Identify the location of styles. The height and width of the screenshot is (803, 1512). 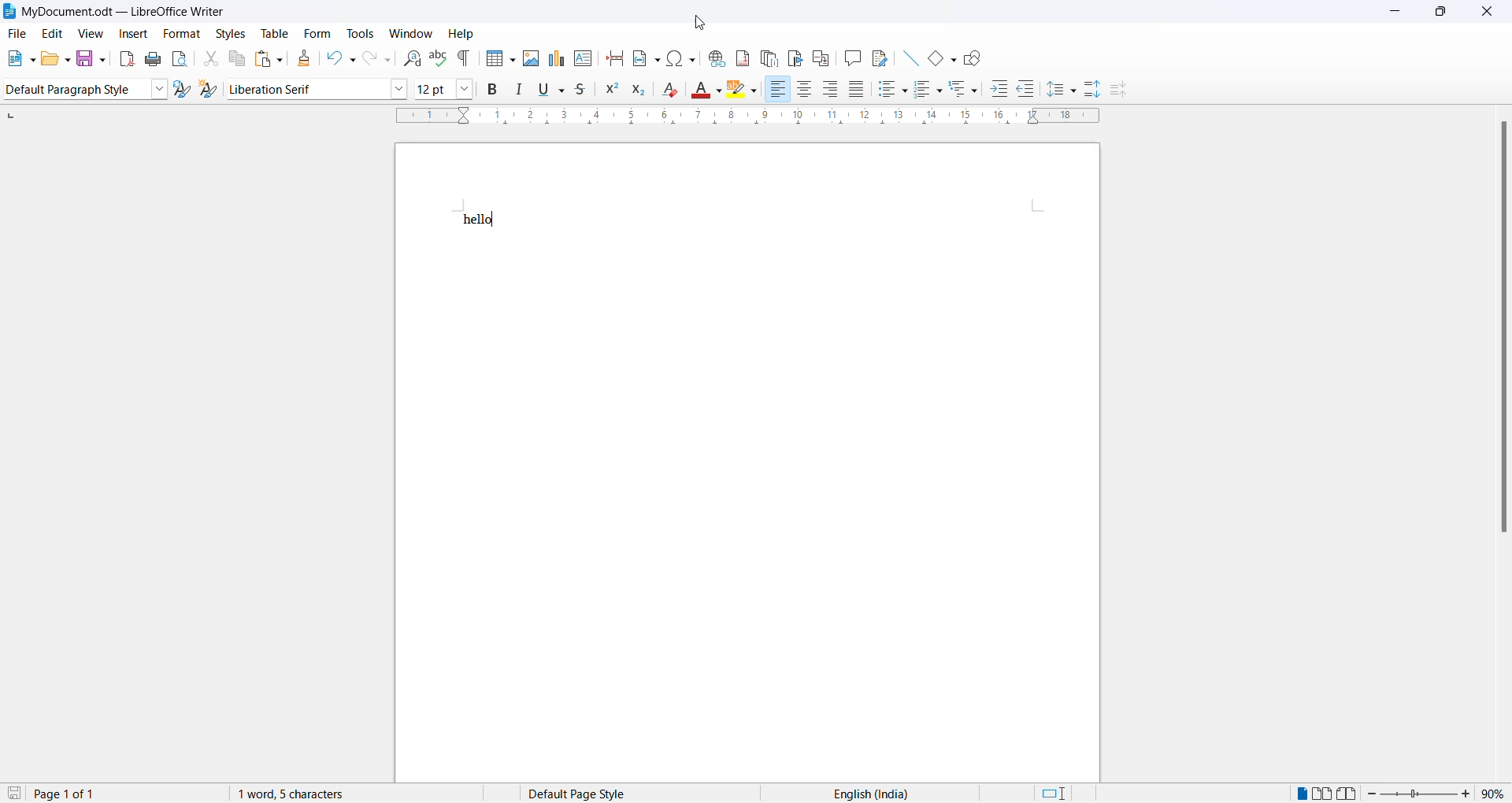
(229, 34).